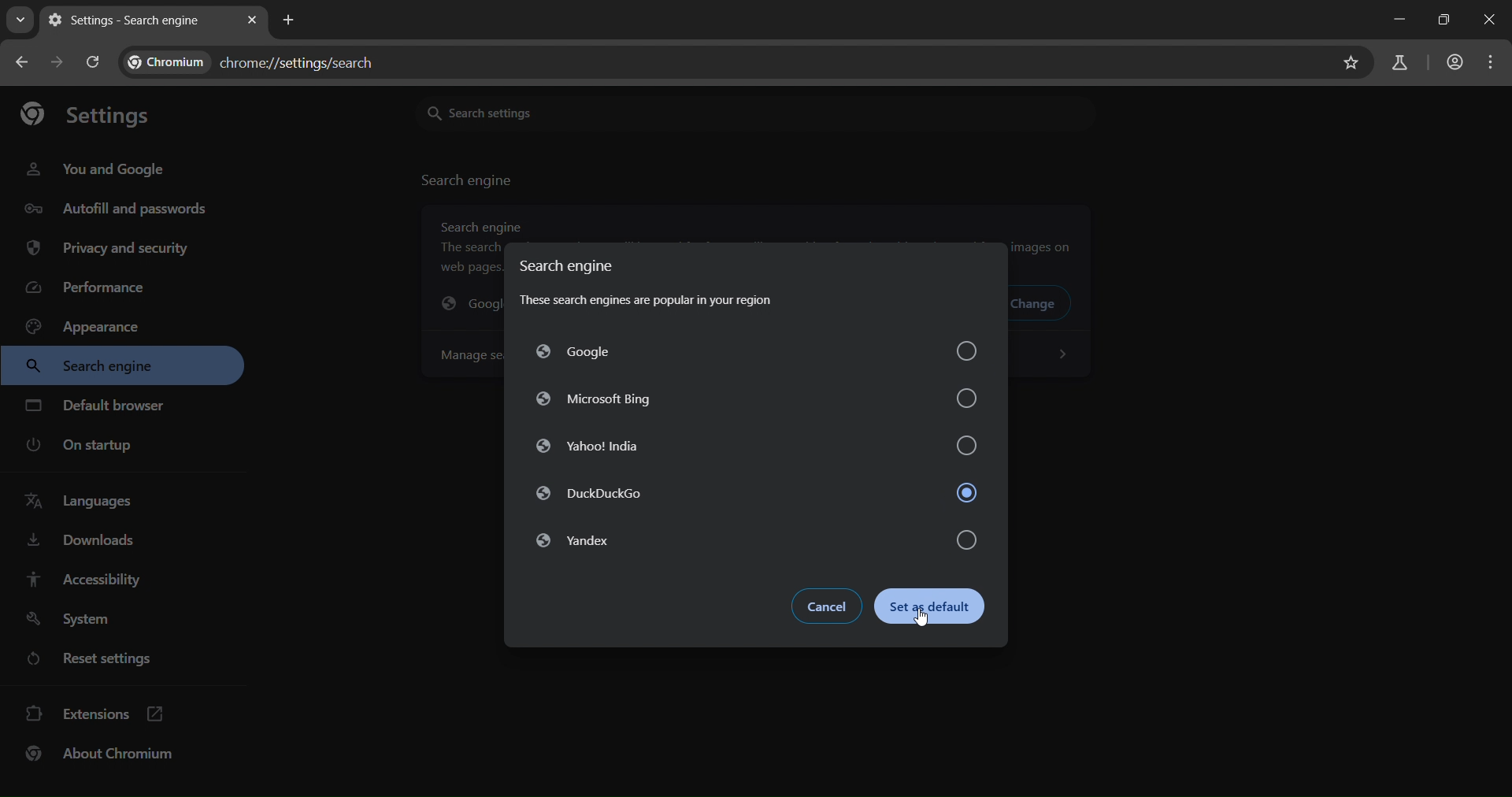  What do you see at coordinates (756, 495) in the screenshot?
I see `Duckduckgo` at bounding box center [756, 495].